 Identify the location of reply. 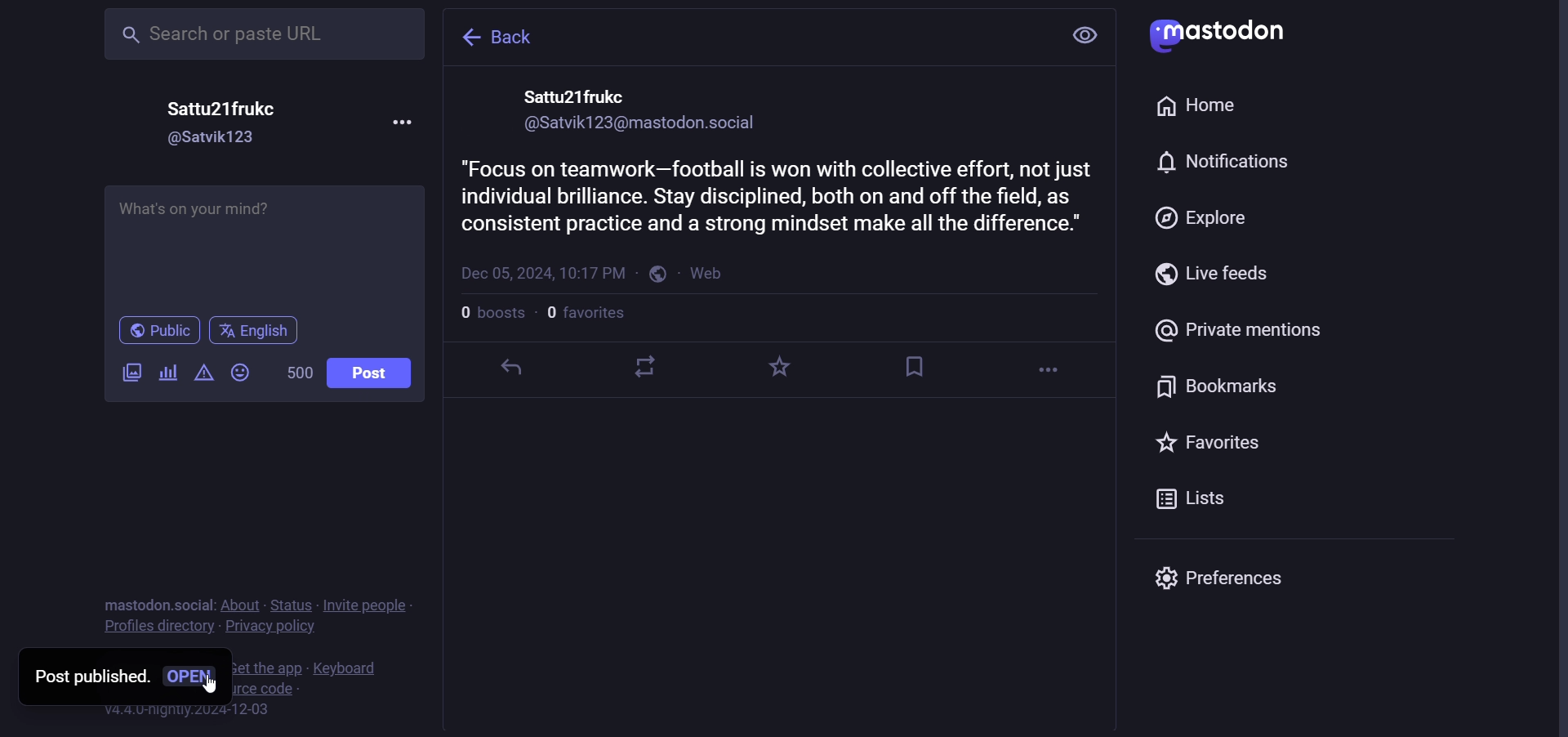
(513, 369).